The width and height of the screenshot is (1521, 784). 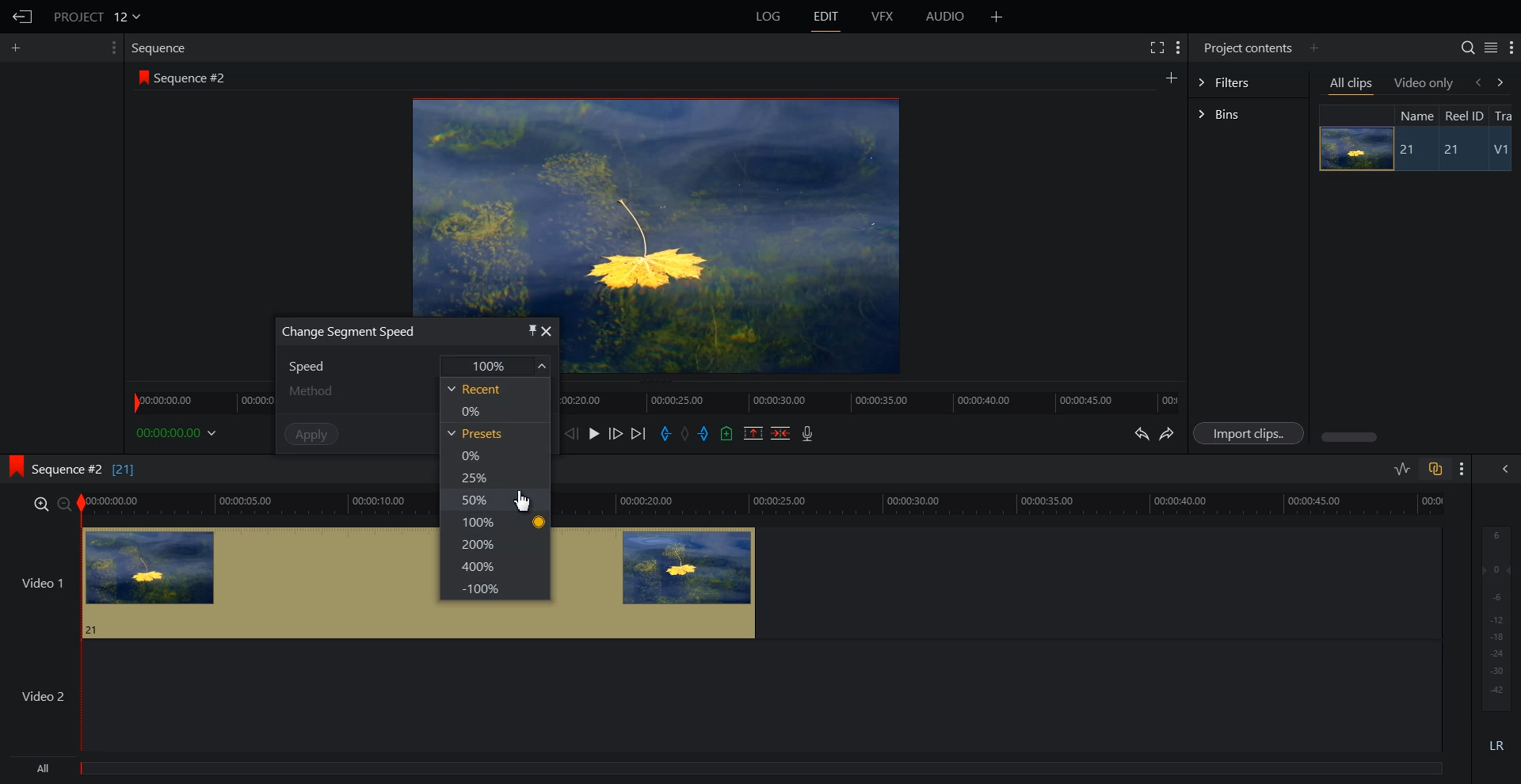 What do you see at coordinates (1477, 82) in the screenshot?
I see `backward` at bounding box center [1477, 82].